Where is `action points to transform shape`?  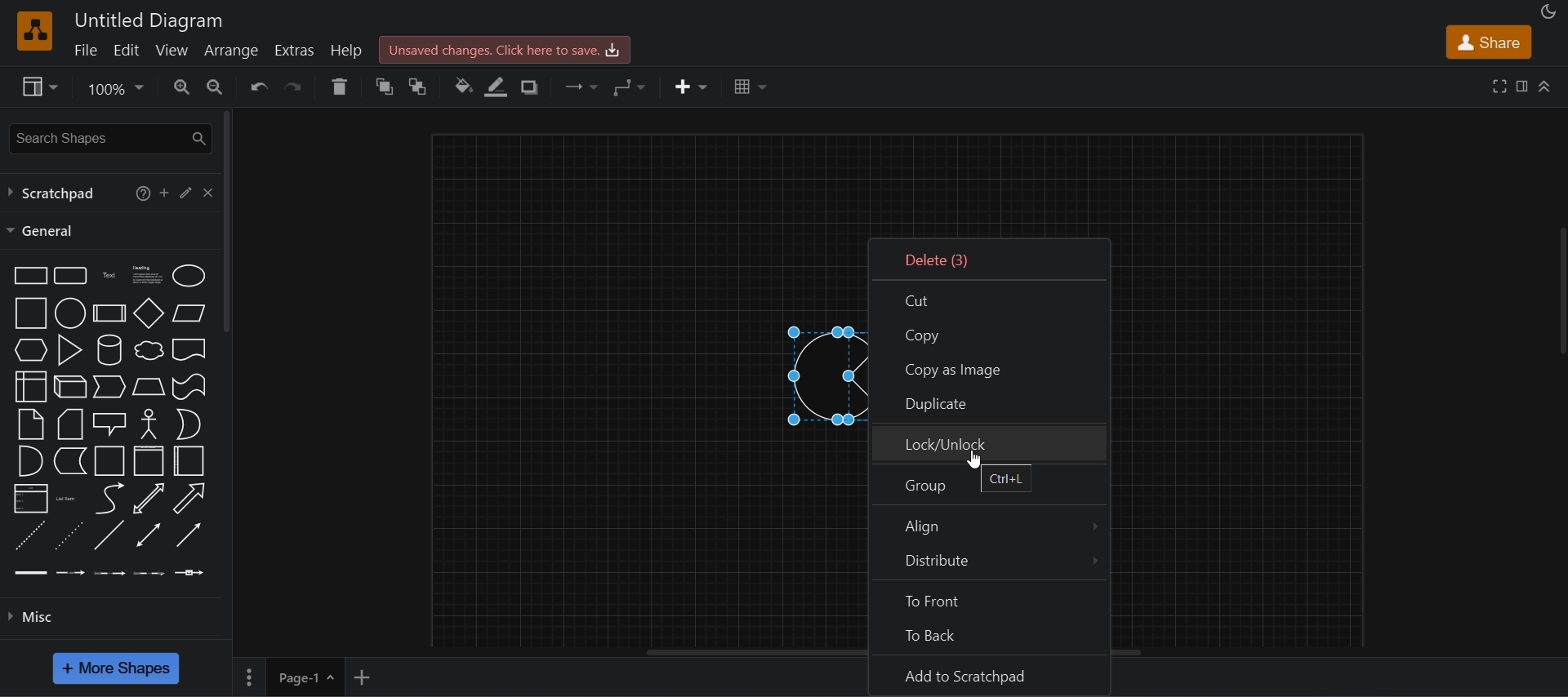 action points to transform shape is located at coordinates (794, 377).